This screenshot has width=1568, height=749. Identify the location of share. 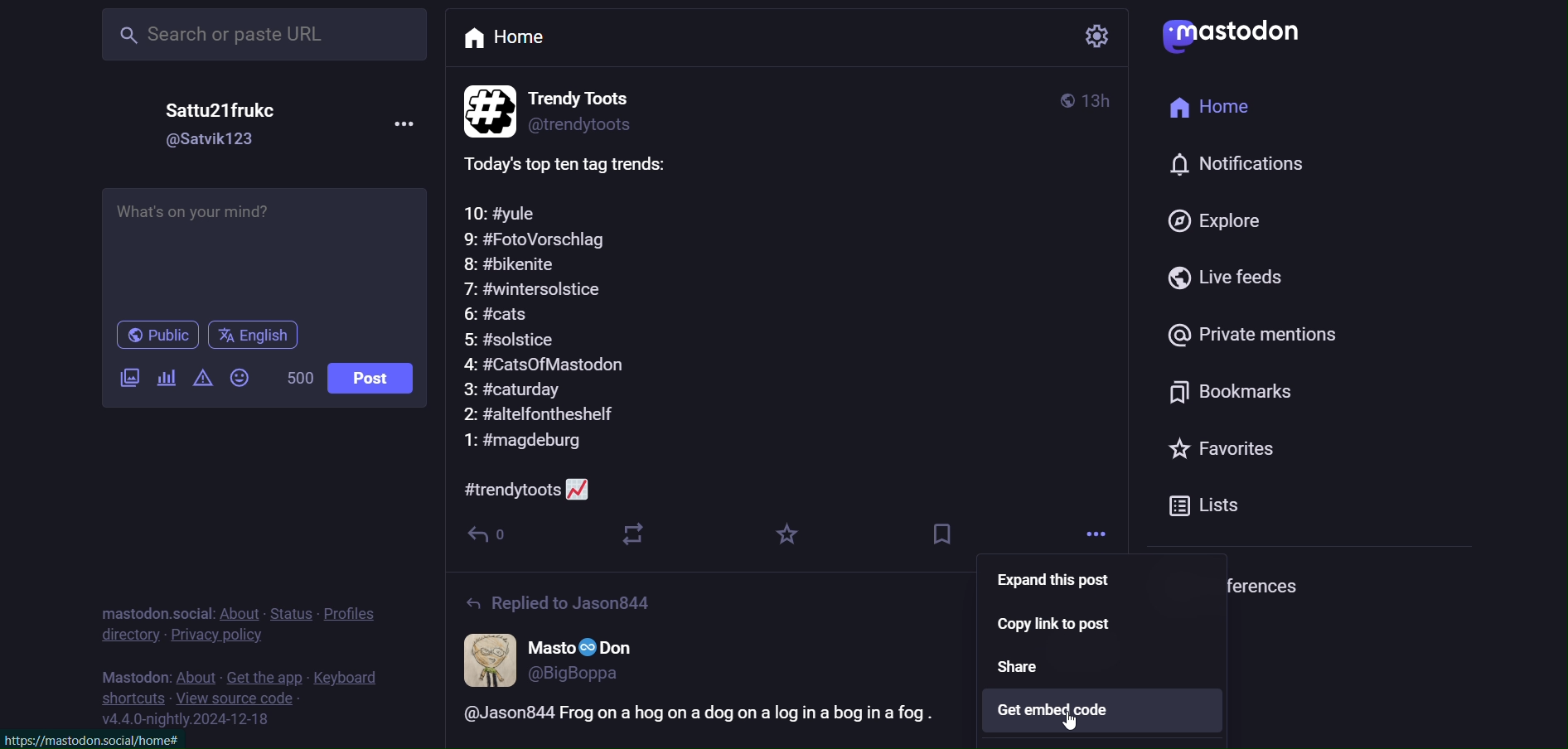
(1033, 668).